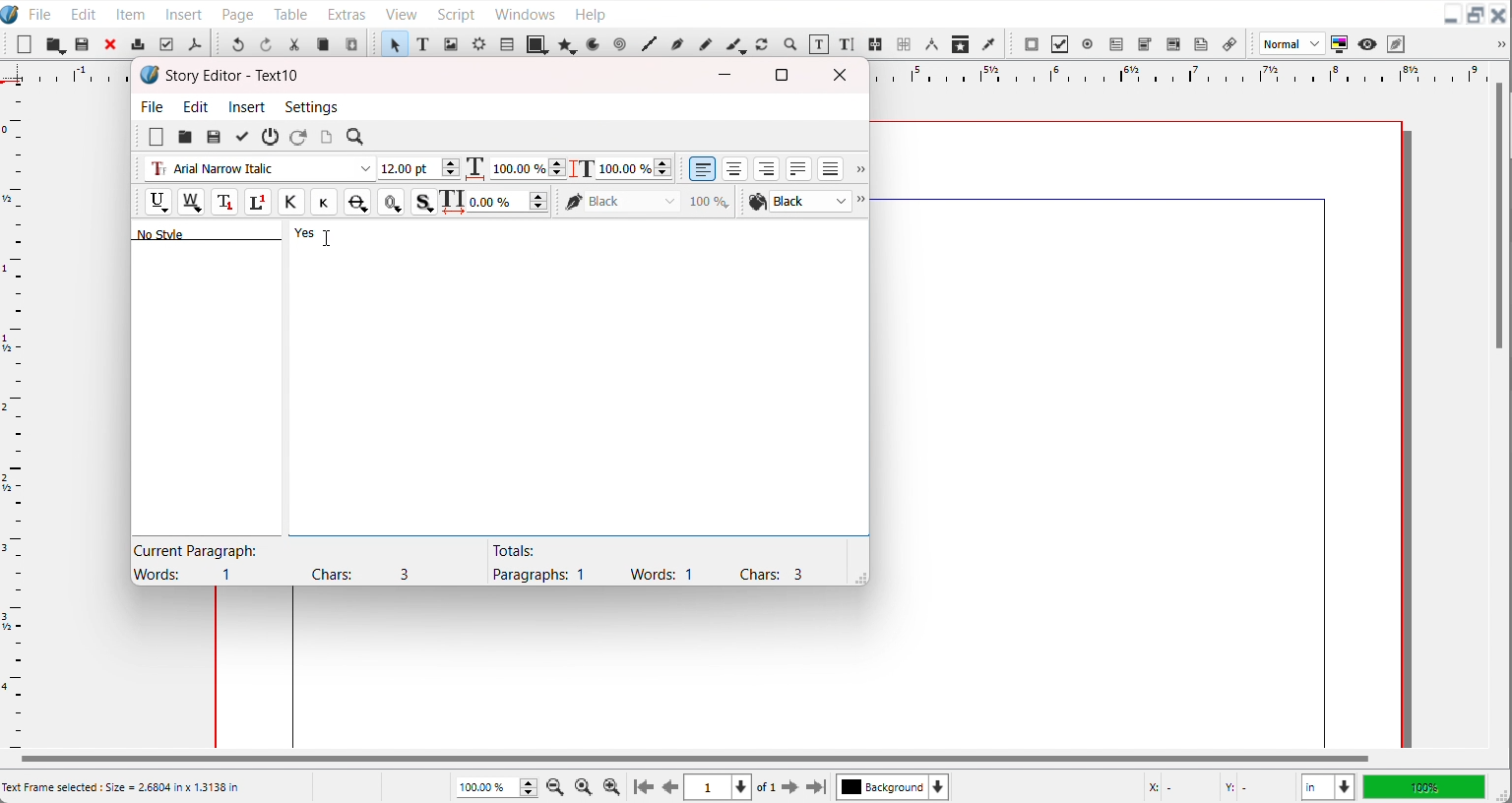 This screenshot has width=1512, height=803. I want to click on Measurements in inches, so click(1328, 787).